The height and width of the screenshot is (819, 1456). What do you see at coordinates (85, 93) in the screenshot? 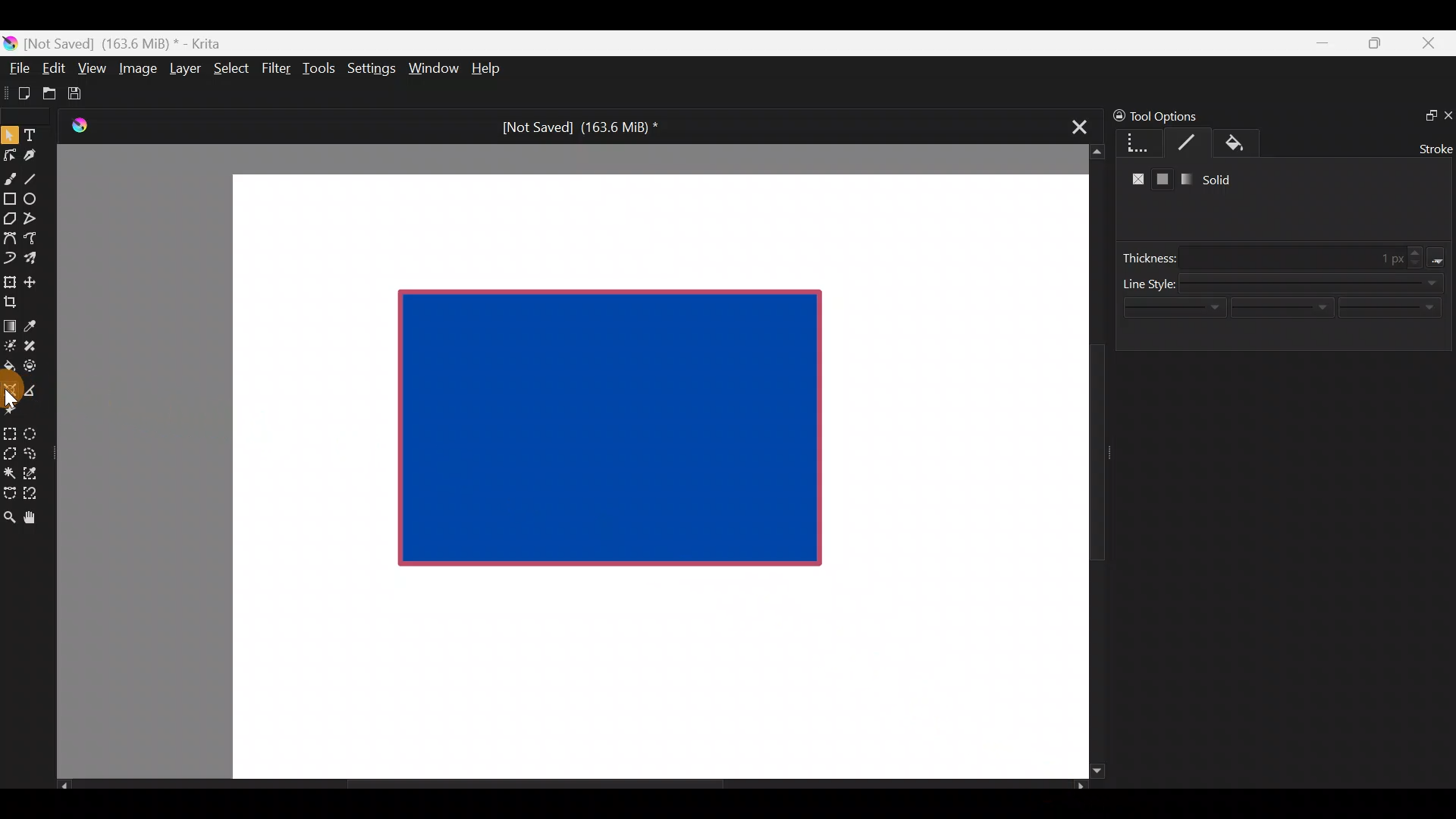
I see `Save` at bounding box center [85, 93].